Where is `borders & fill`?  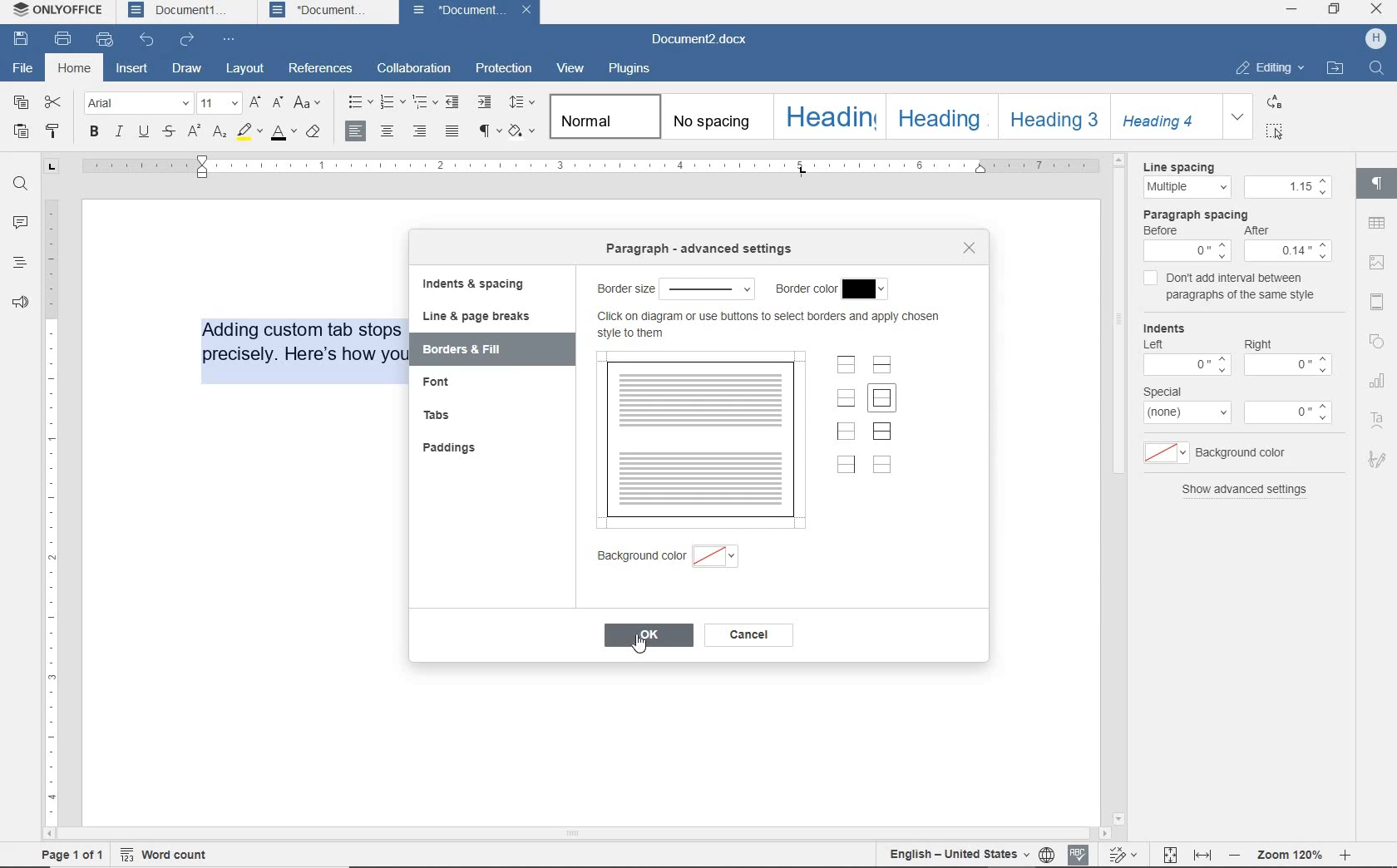 borders & fill is located at coordinates (472, 348).